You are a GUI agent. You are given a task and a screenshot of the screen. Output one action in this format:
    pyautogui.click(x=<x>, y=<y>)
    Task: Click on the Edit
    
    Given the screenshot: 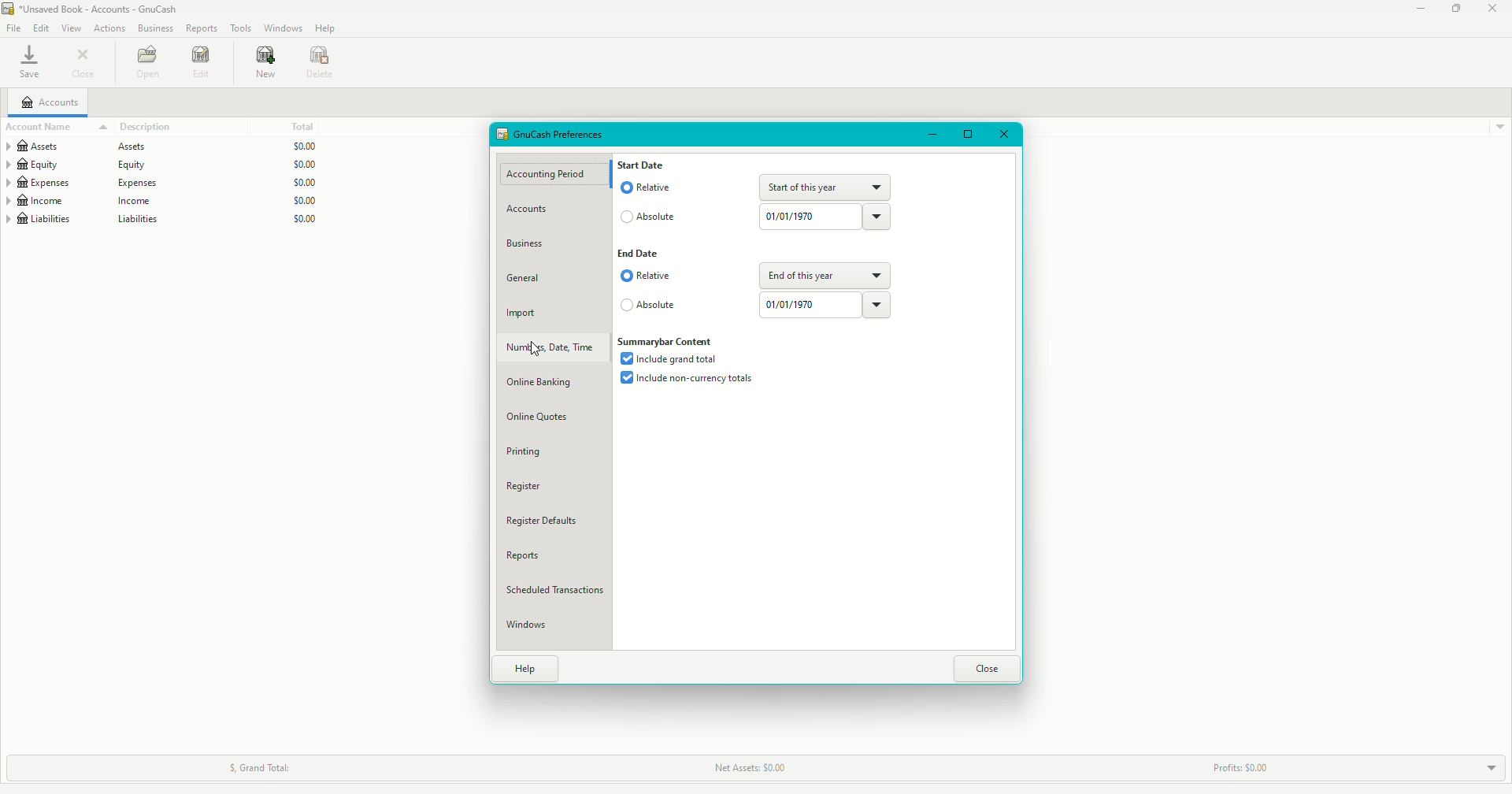 What is the action you would take?
    pyautogui.click(x=43, y=28)
    